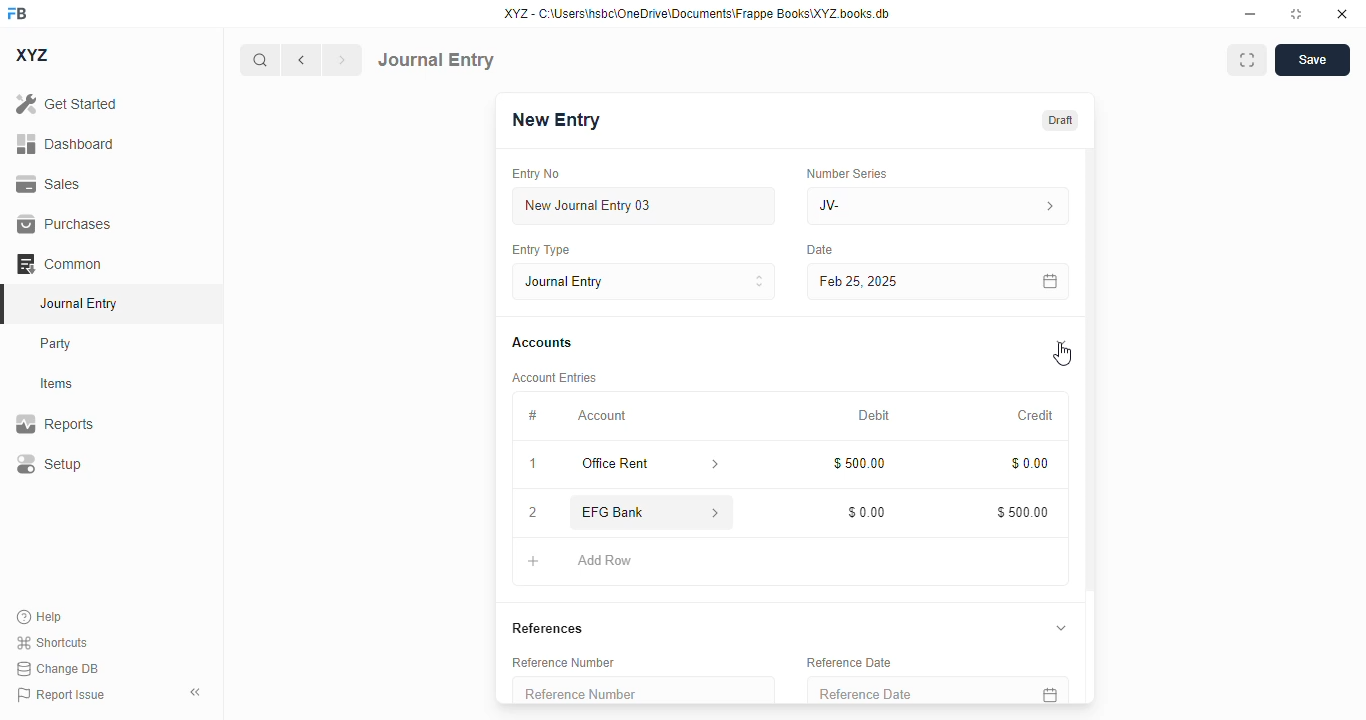 This screenshot has width=1366, height=720. What do you see at coordinates (539, 249) in the screenshot?
I see `entry type` at bounding box center [539, 249].